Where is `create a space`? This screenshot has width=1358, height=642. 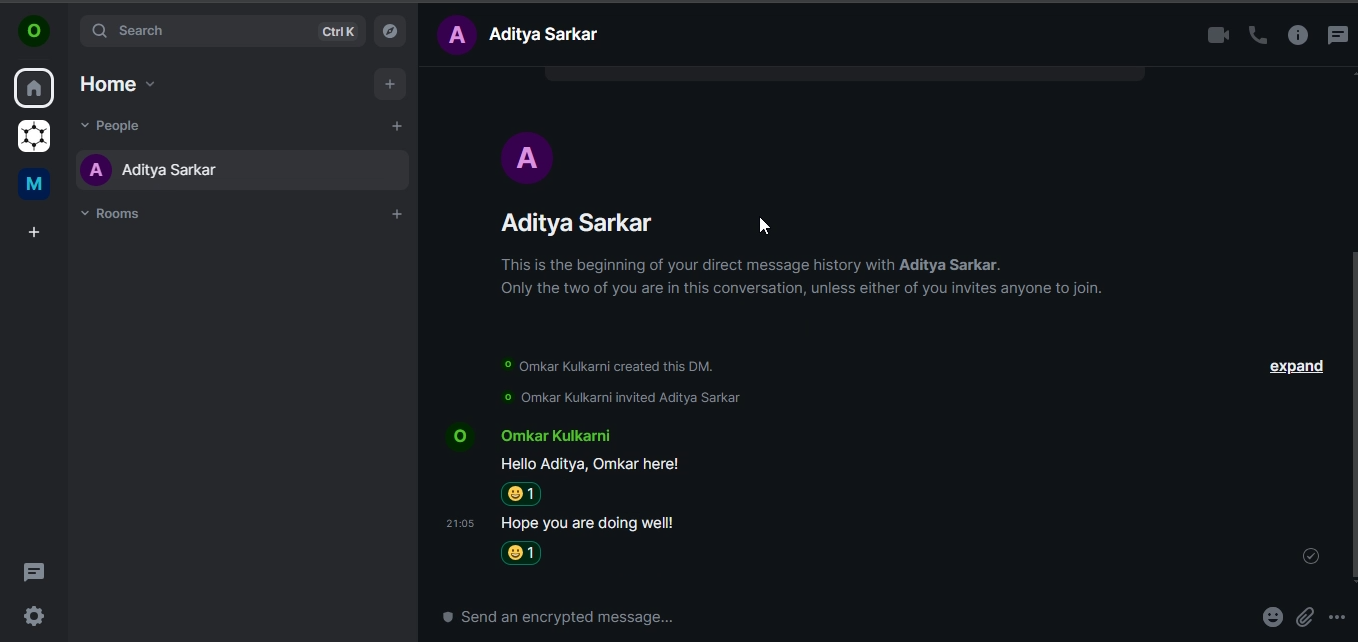
create a space is located at coordinates (33, 234).